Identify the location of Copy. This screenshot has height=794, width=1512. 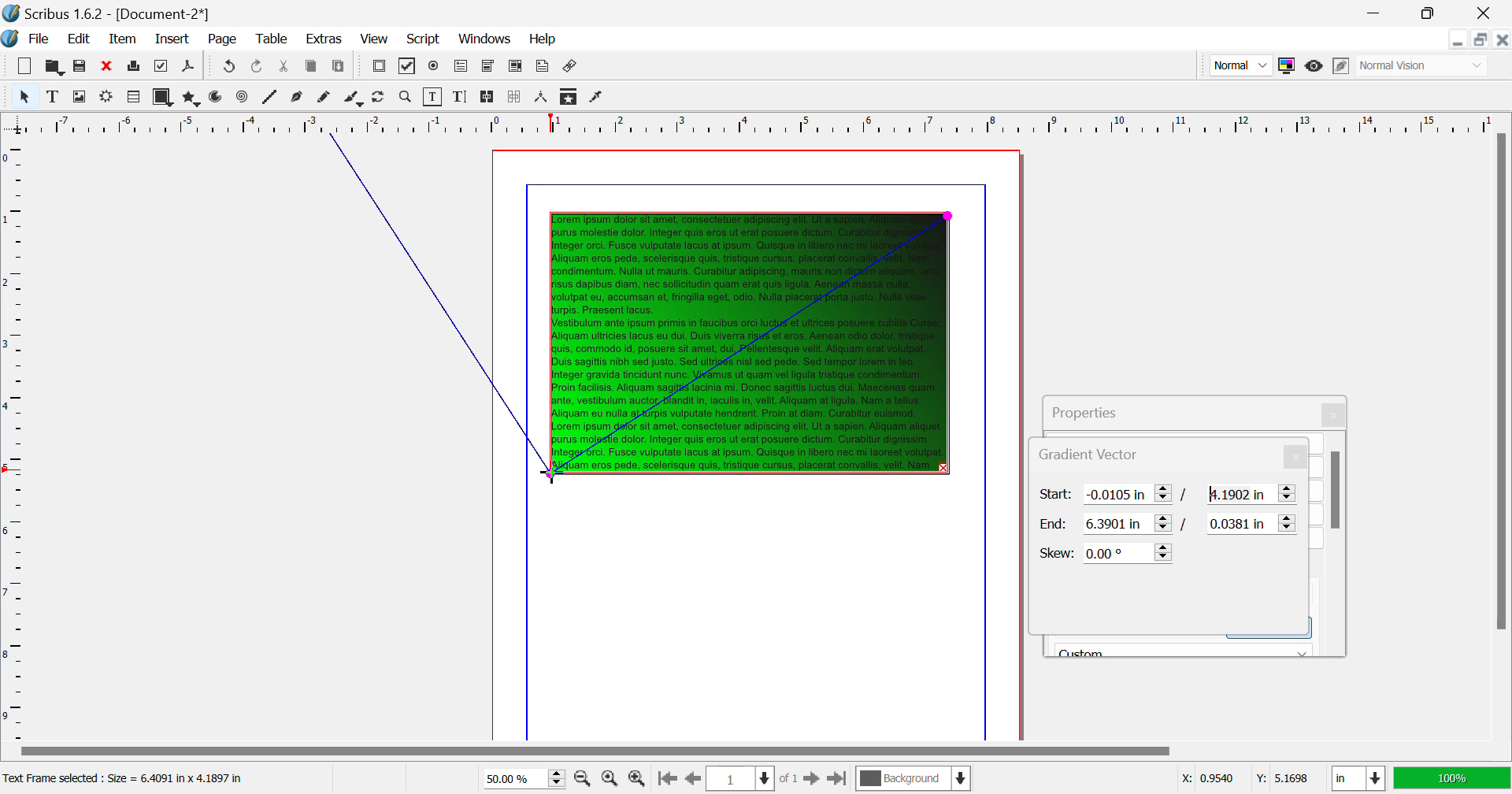
(312, 69).